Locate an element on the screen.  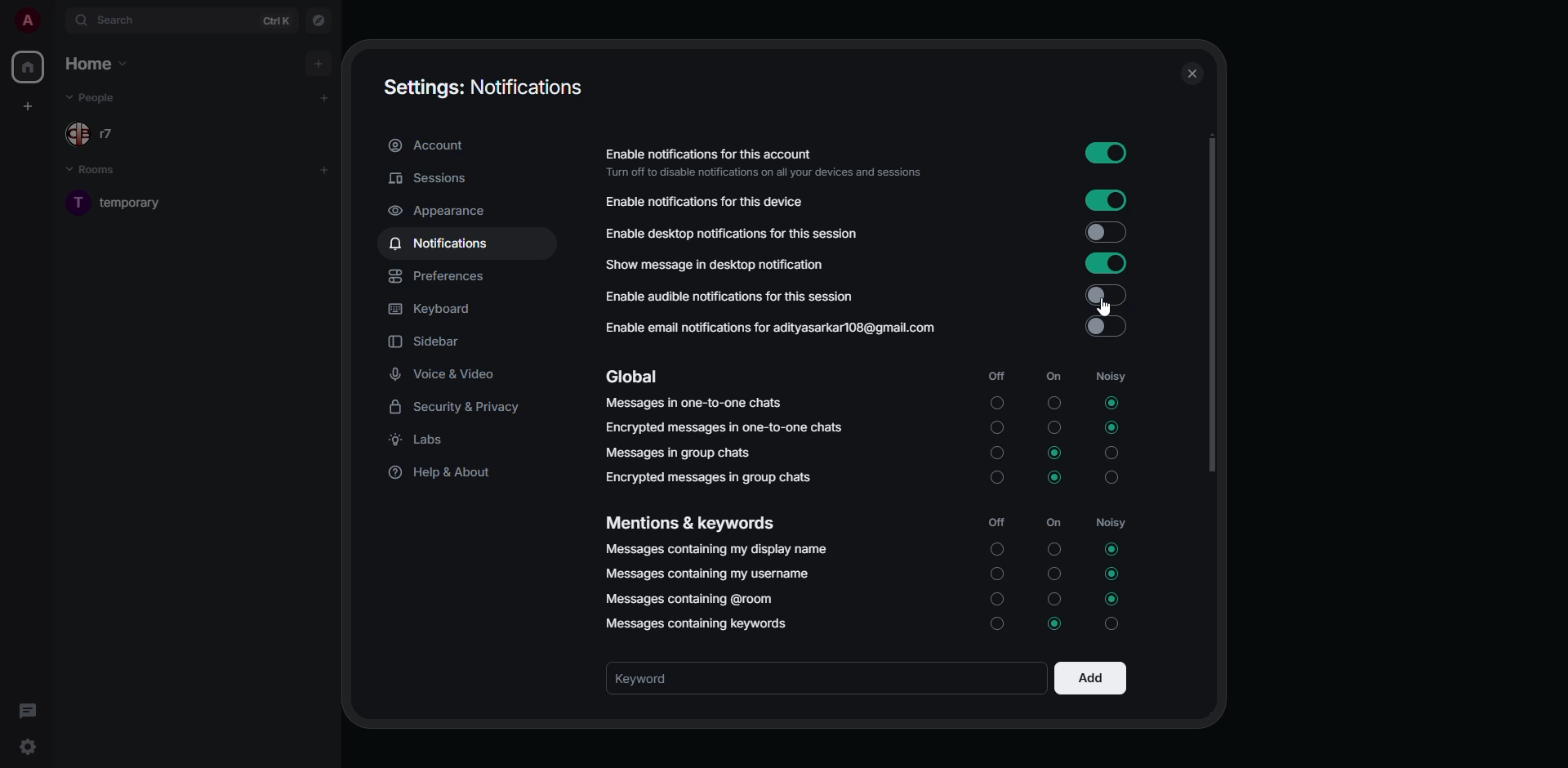
Off Unselected is located at coordinates (996, 598).